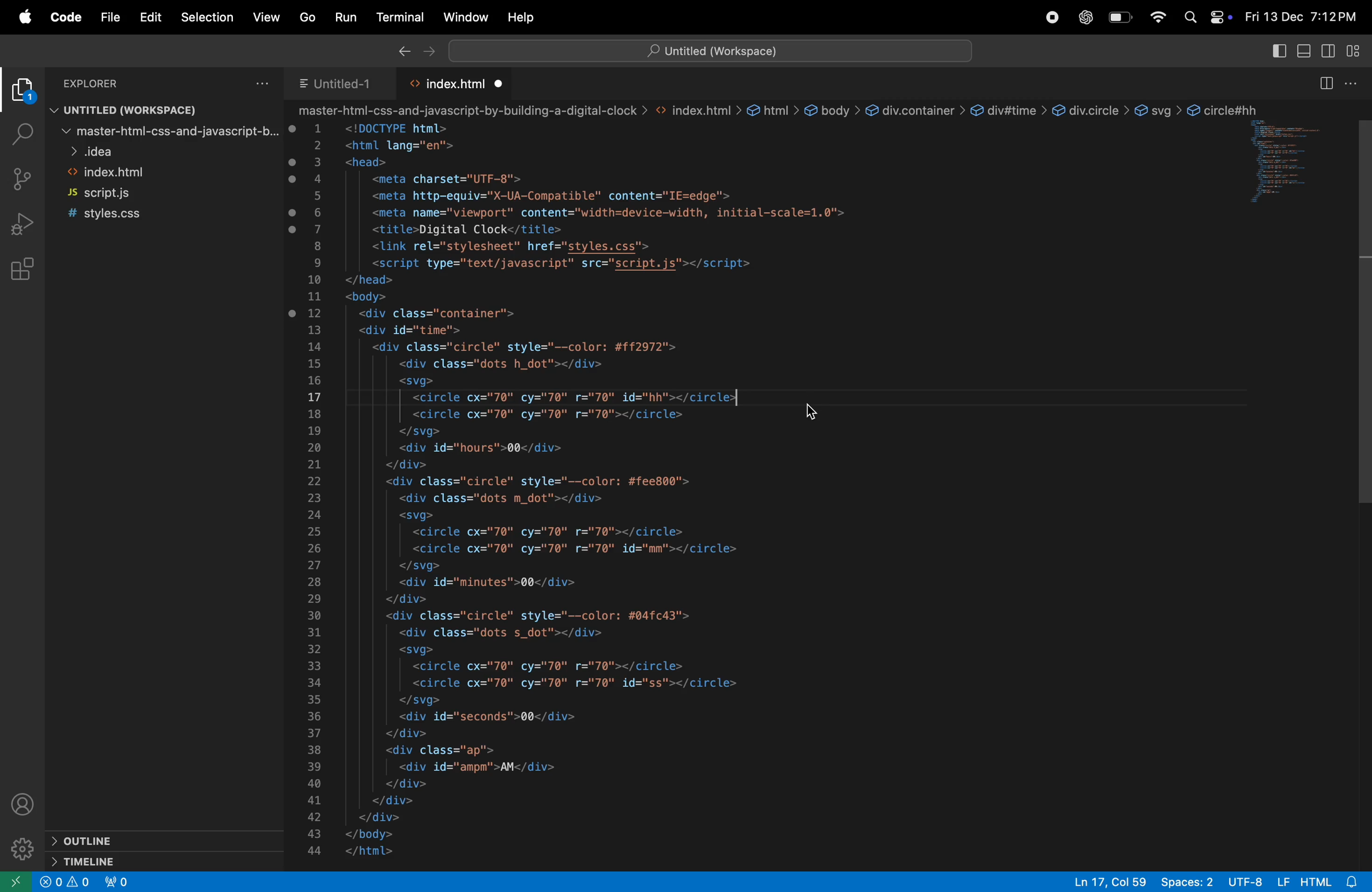 The width and height of the screenshot is (1372, 892). What do you see at coordinates (1289, 165) in the screenshot?
I see `window` at bounding box center [1289, 165].